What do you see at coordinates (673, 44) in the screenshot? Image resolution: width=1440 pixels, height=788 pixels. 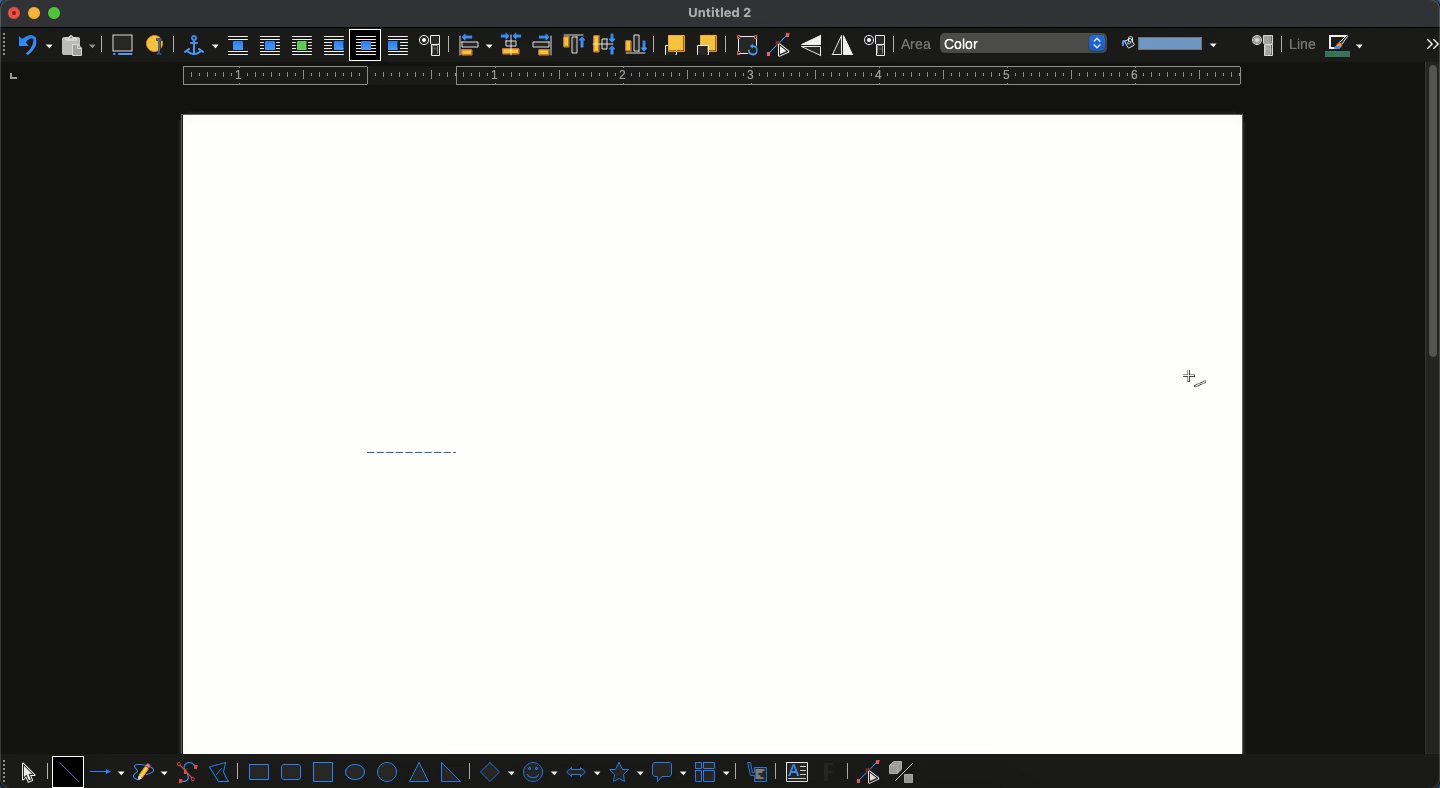 I see `front one` at bounding box center [673, 44].